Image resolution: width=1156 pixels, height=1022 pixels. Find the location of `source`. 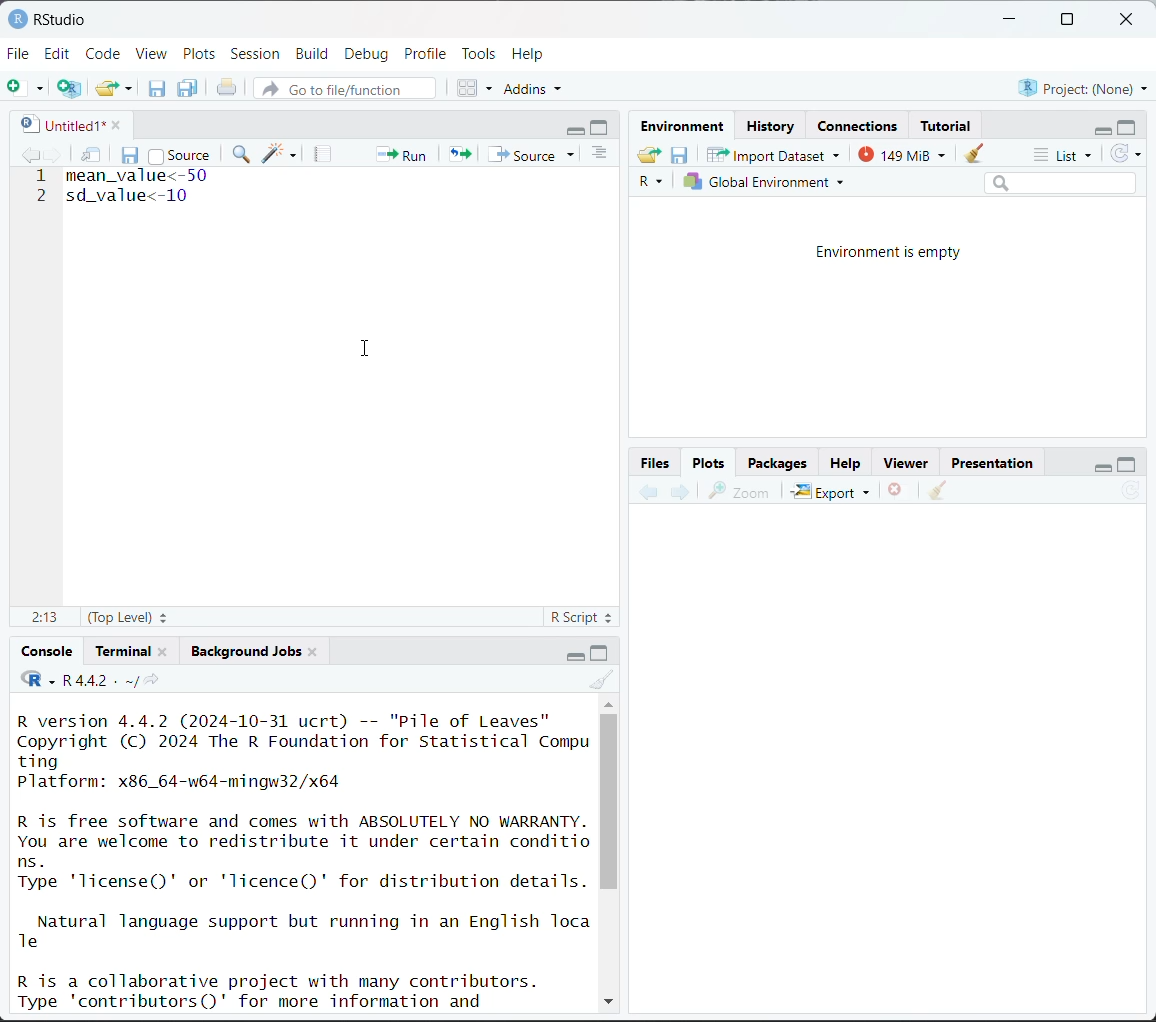

source is located at coordinates (535, 154).